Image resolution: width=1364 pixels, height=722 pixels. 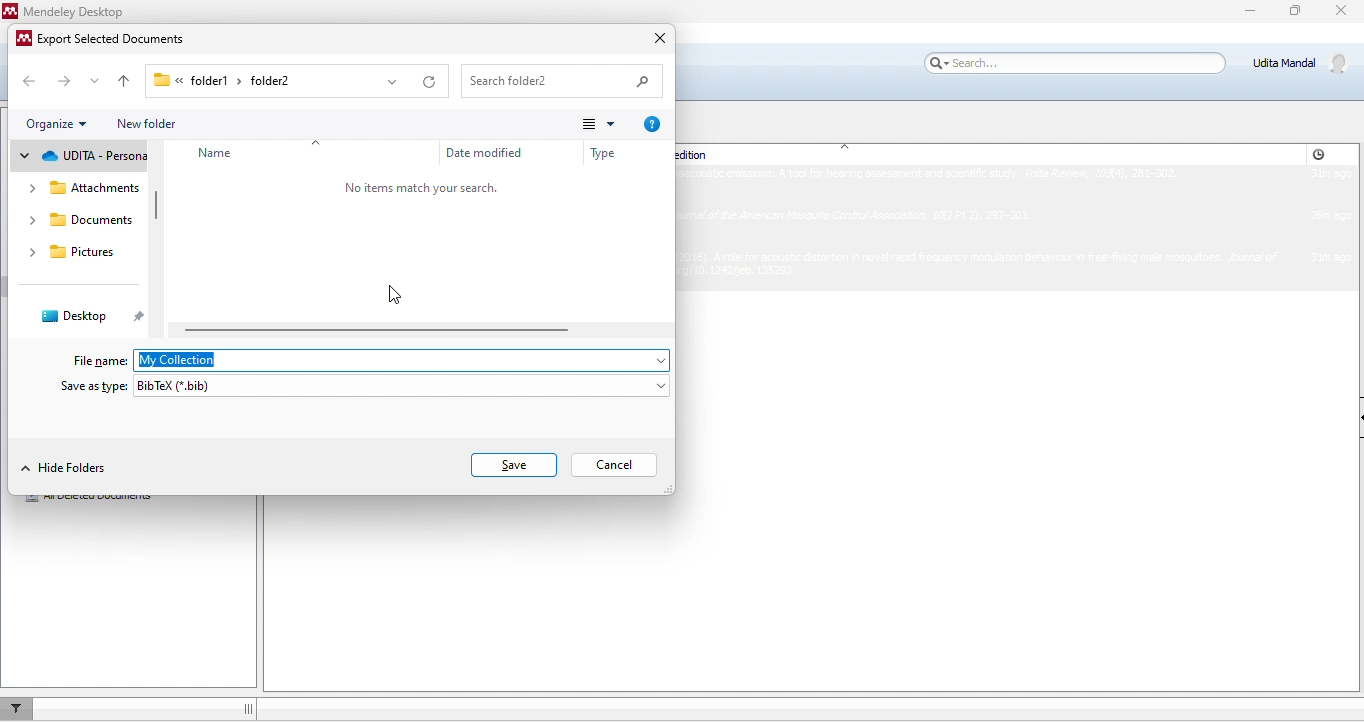 What do you see at coordinates (218, 154) in the screenshot?
I see `name` at bounding box center [218, 154].